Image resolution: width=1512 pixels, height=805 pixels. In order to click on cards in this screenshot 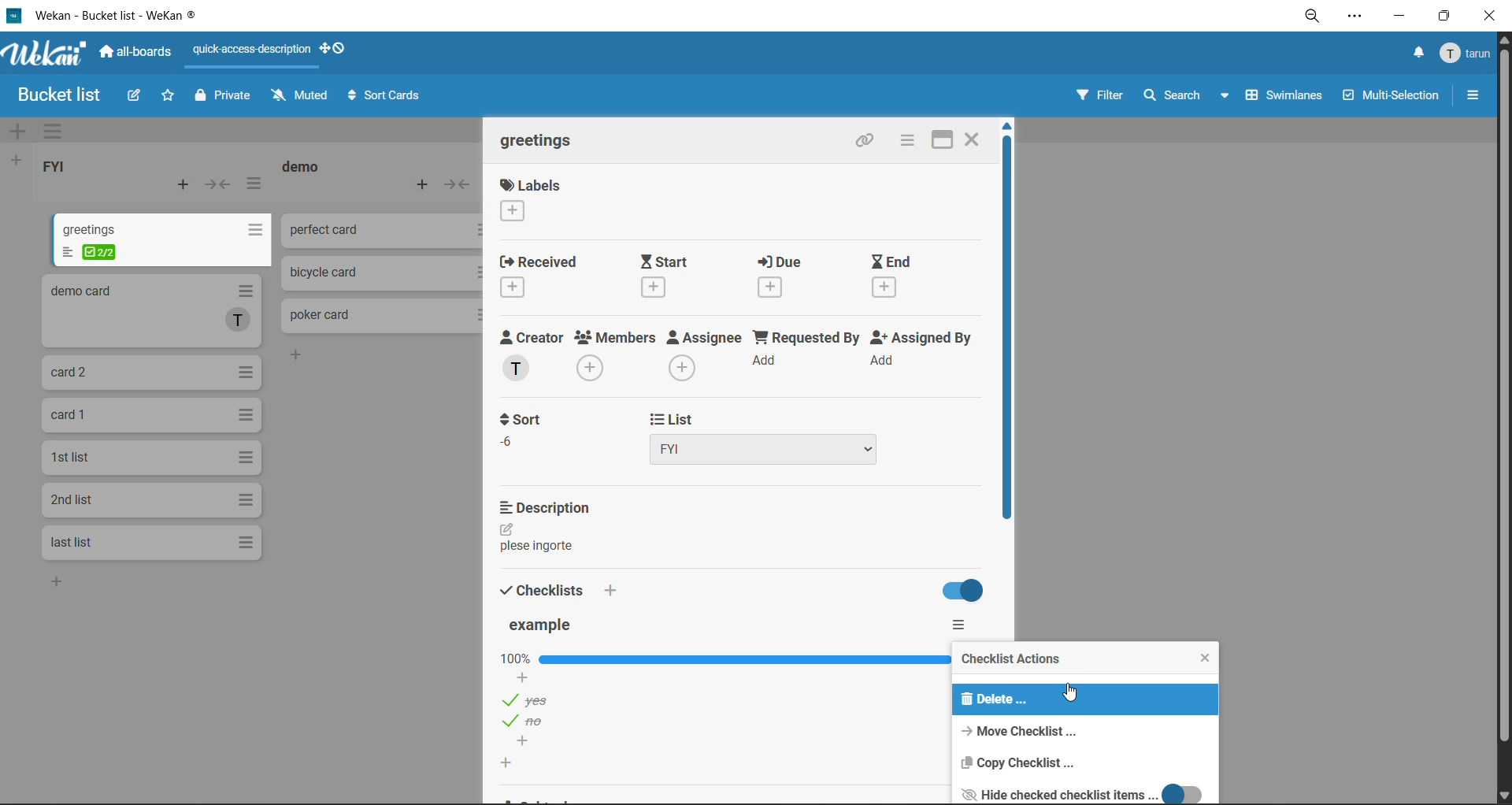, I will do `click(152, 461)`.